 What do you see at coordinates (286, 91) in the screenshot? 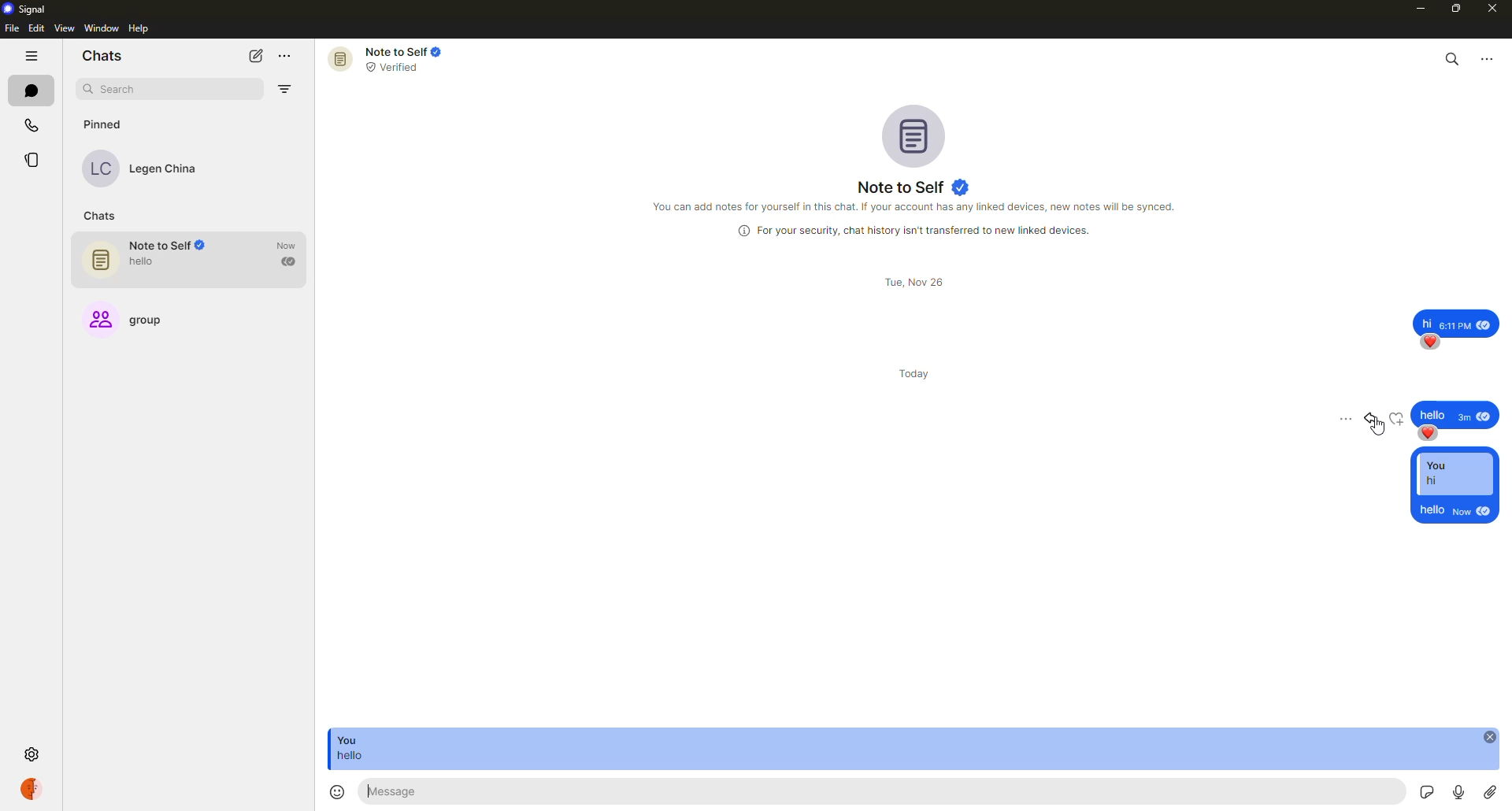
I see `filter` at bounding box center [286, 91].